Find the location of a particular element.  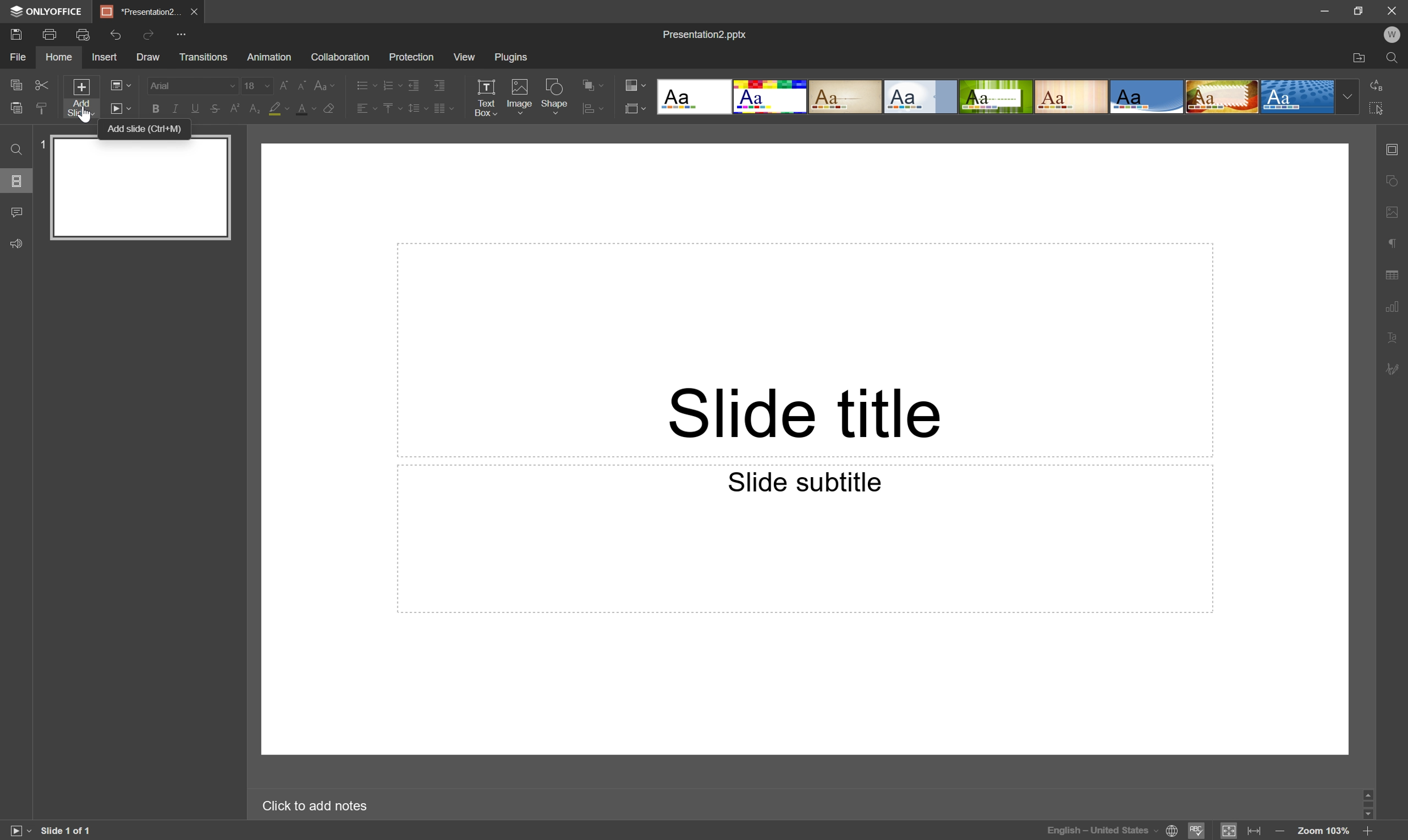

Image is located at coordinates (519, 97).